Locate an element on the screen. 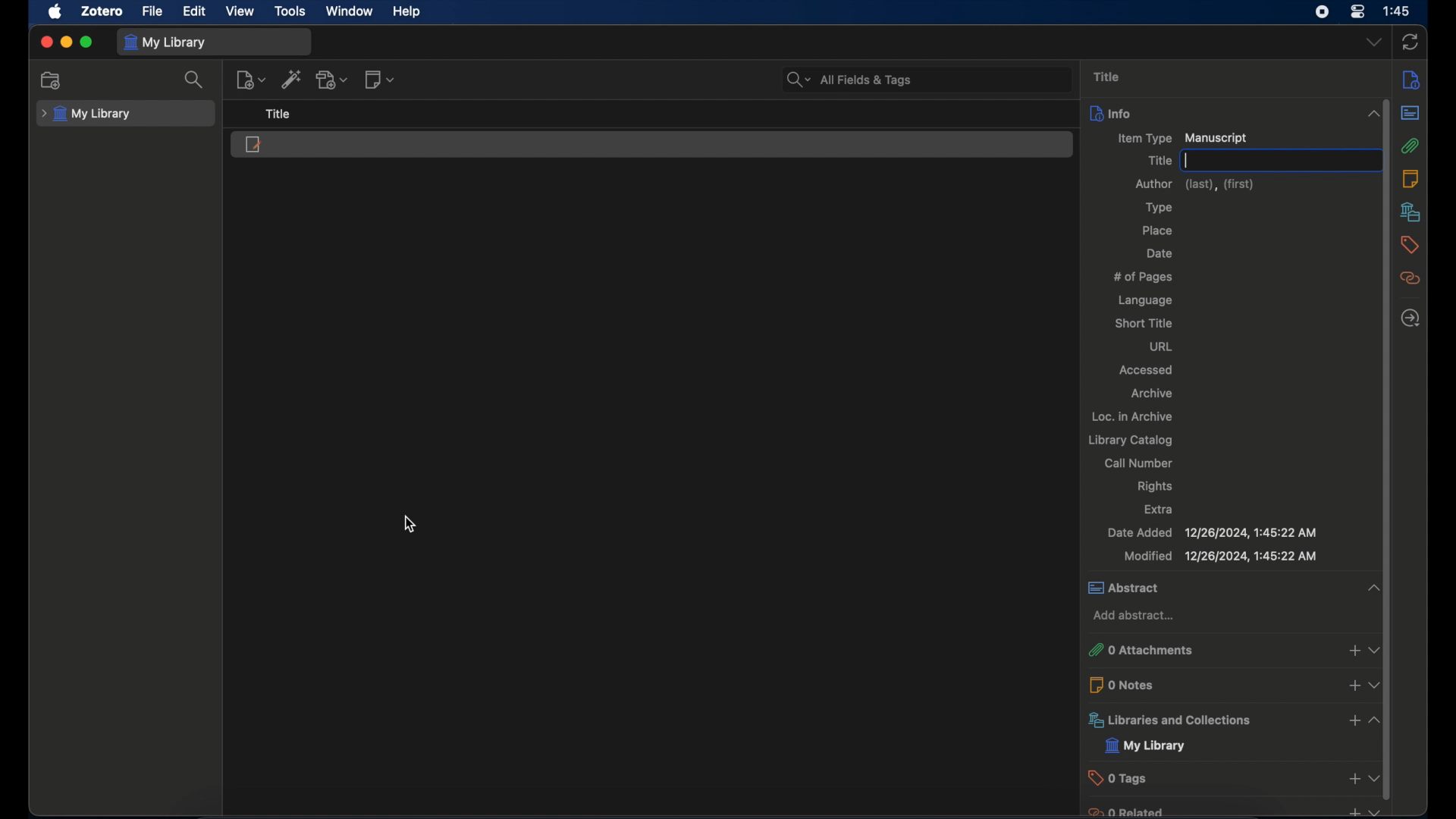  info is located at coordinates (1236, 113).